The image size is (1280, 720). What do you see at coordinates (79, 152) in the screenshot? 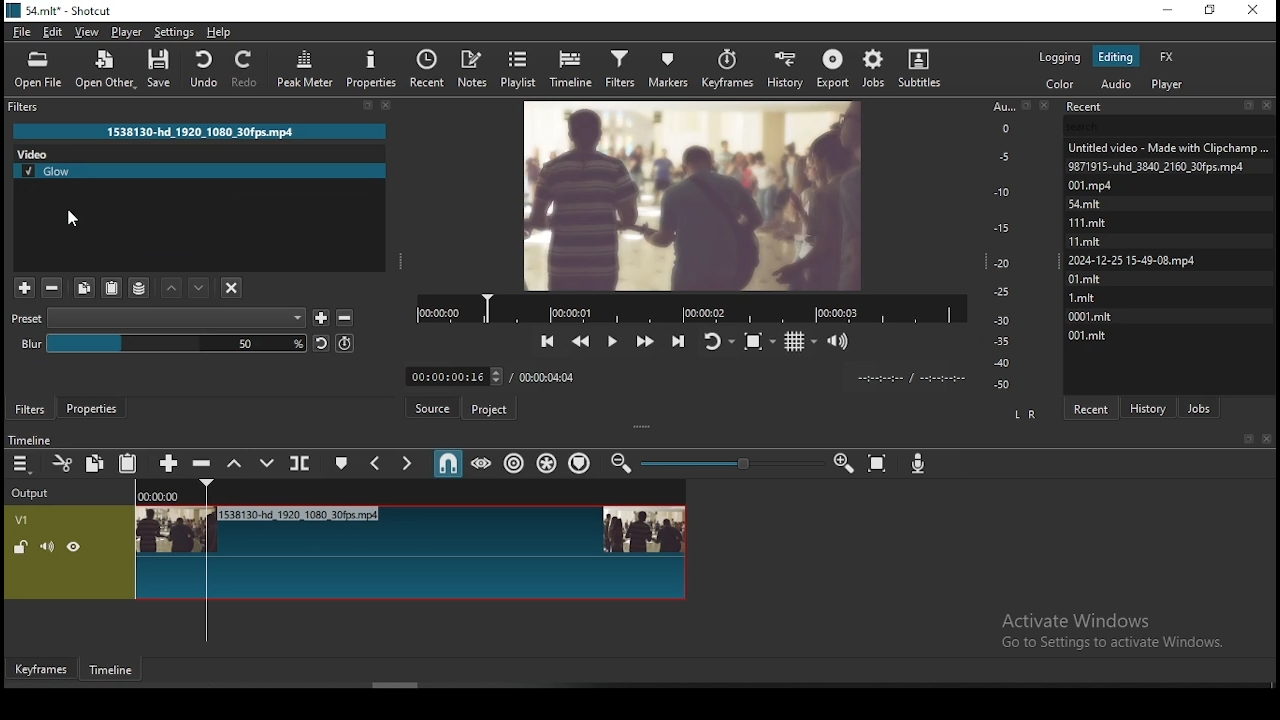
I see `video` at bounding box center [79, 152].